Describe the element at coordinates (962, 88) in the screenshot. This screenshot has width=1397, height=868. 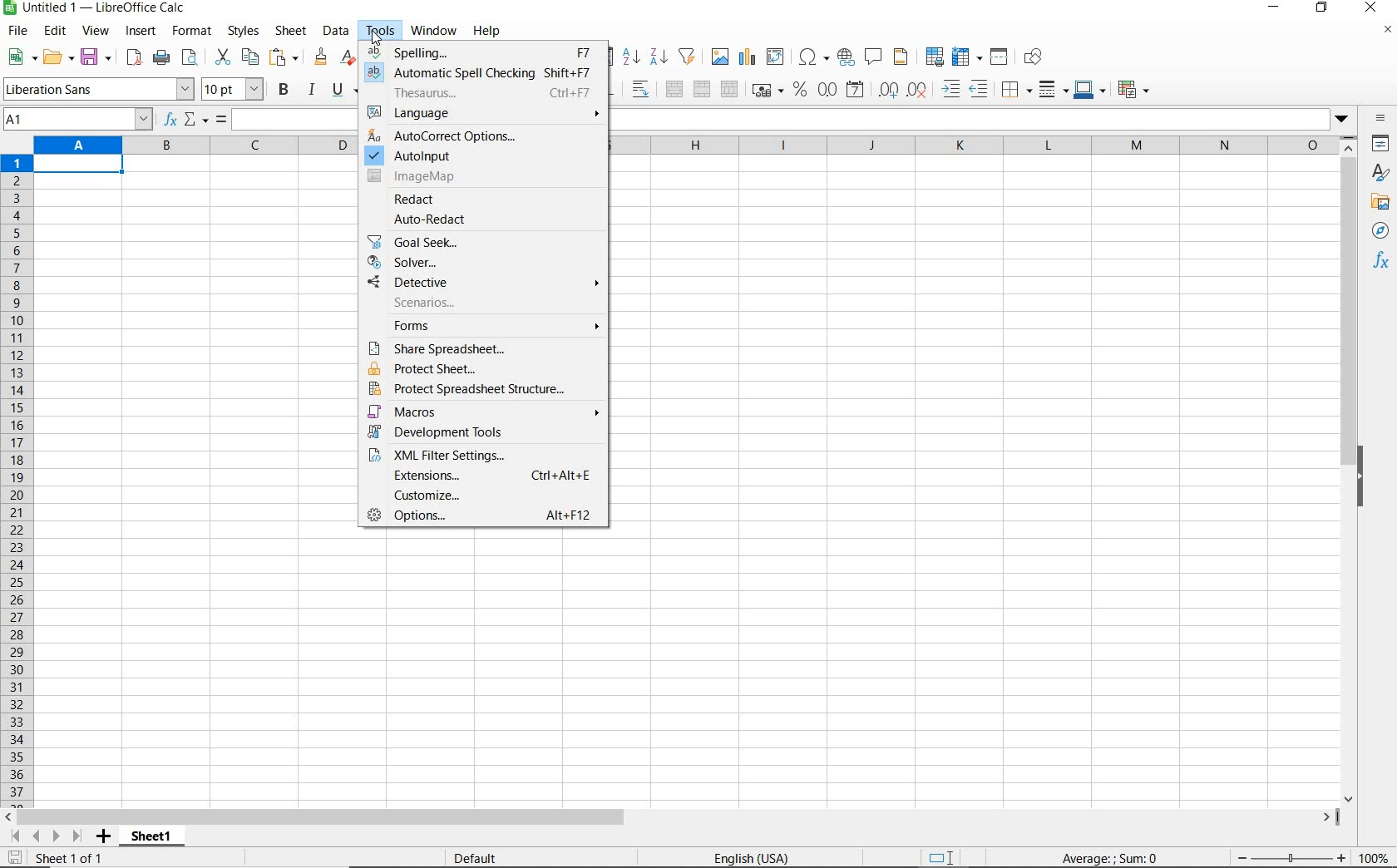
I see `increase or decrease indent` at that location.